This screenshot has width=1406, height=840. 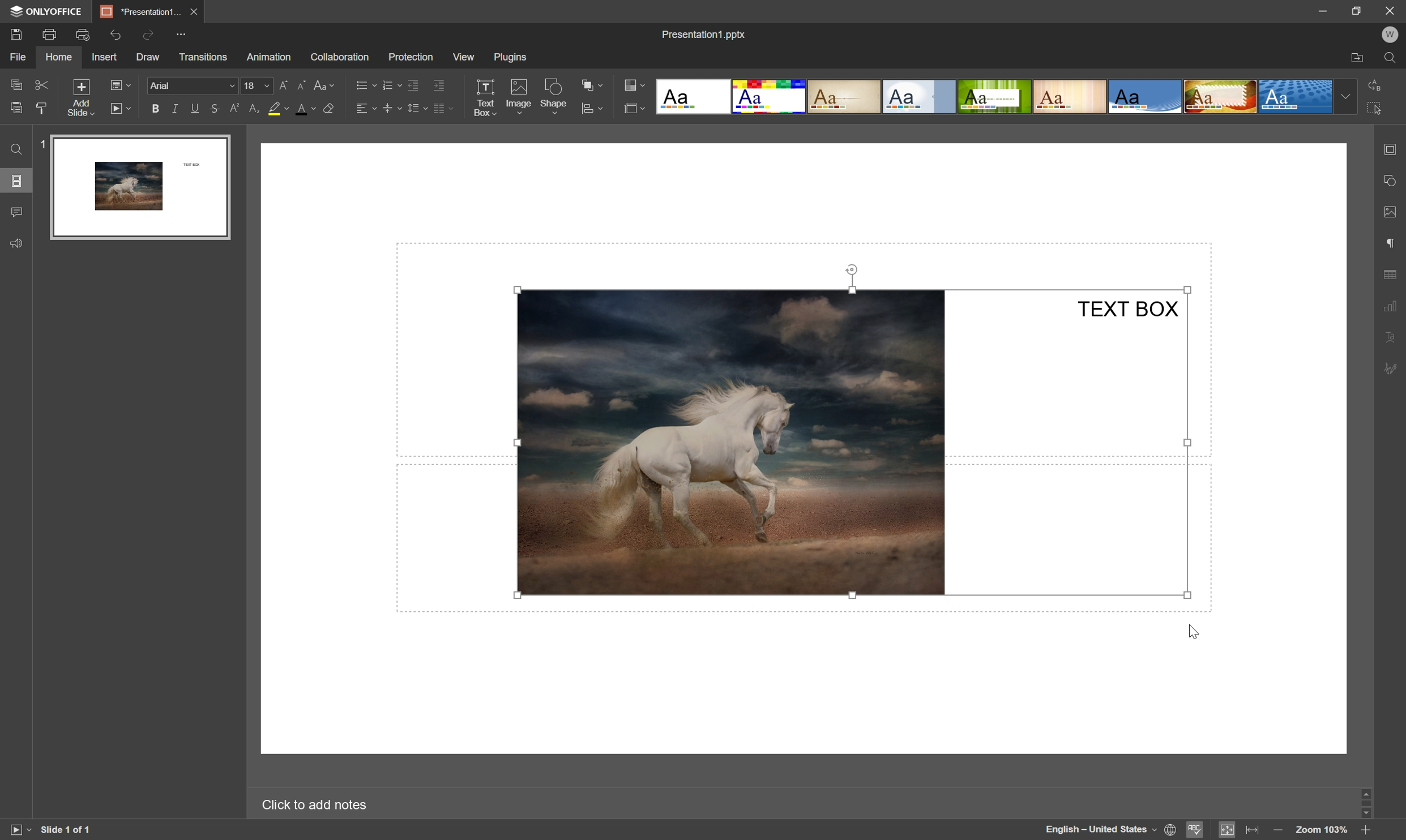 What do you see at coordinates (80, 96) in the screenshot?
I see `add slide` at bounding box center [80, 96].